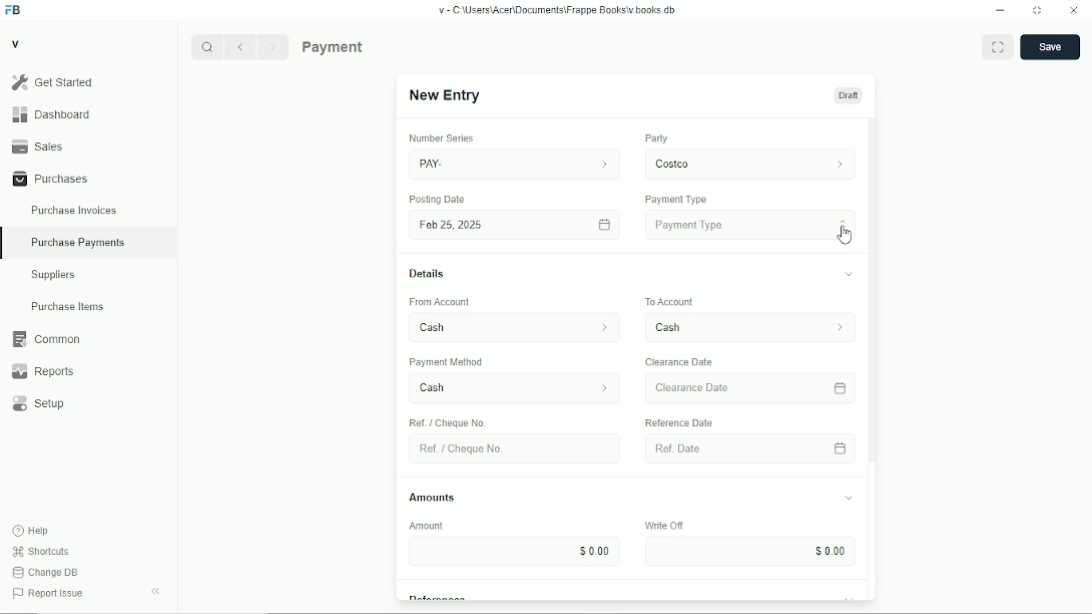 This screenshot has height=614, width=1092. What do you see at coordinates (274, 47) in the screenshot?
I see `Next` at bounding box center [274, 47].